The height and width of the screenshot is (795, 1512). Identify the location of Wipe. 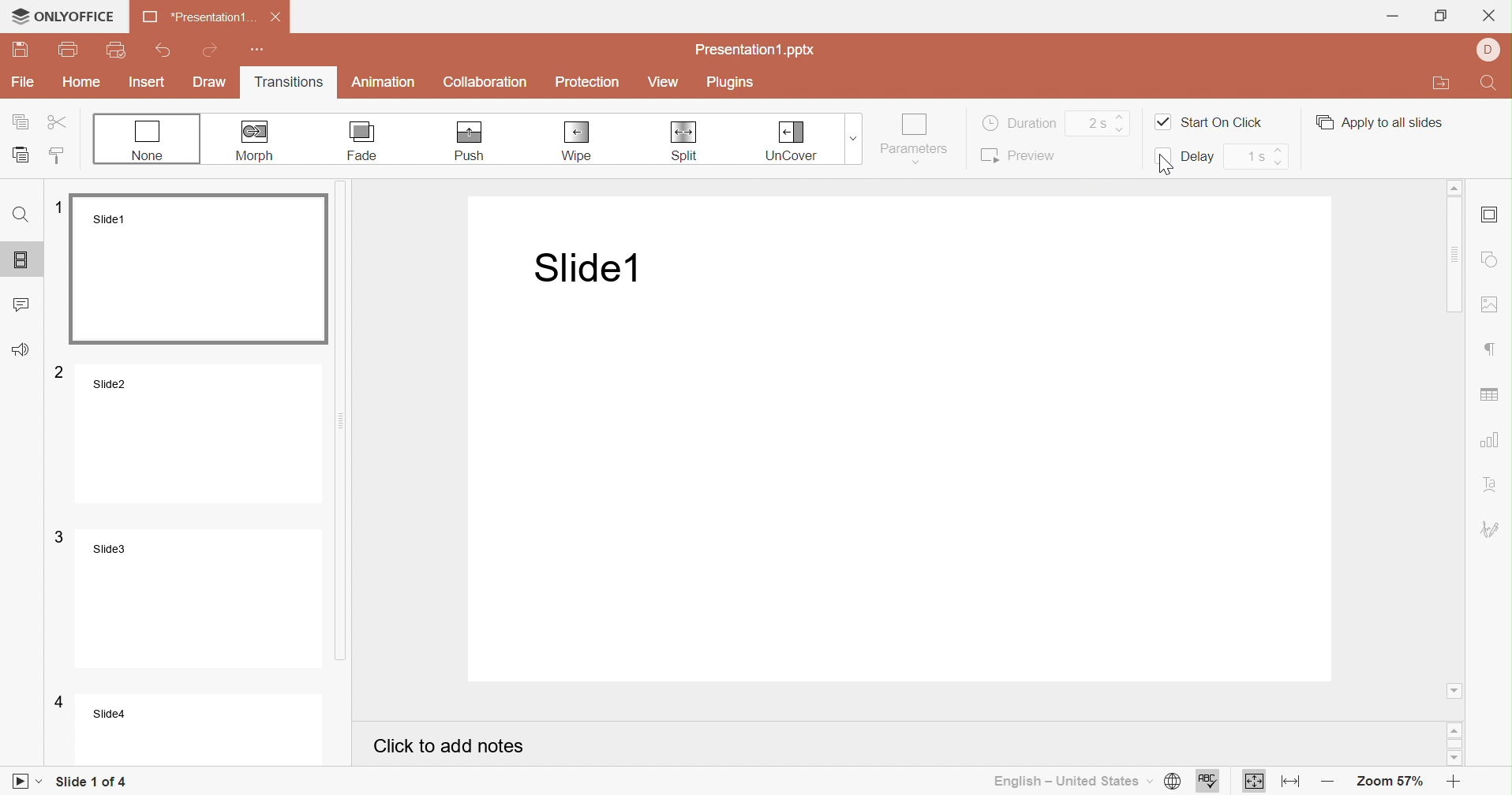
(579, 142).